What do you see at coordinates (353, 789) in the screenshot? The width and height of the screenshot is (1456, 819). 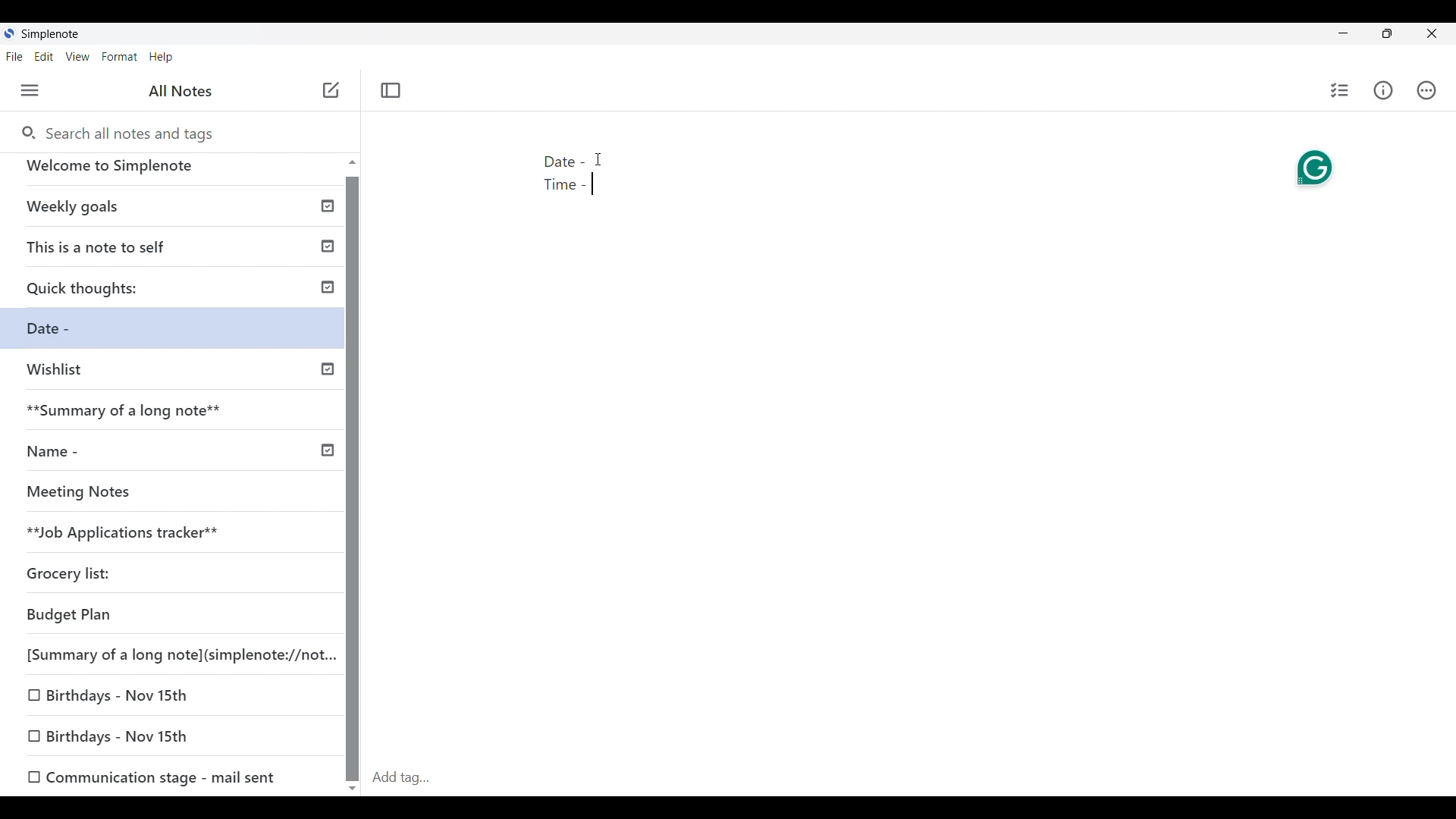 I see `Quick slide to bottom` at bounding box center [353, 789].